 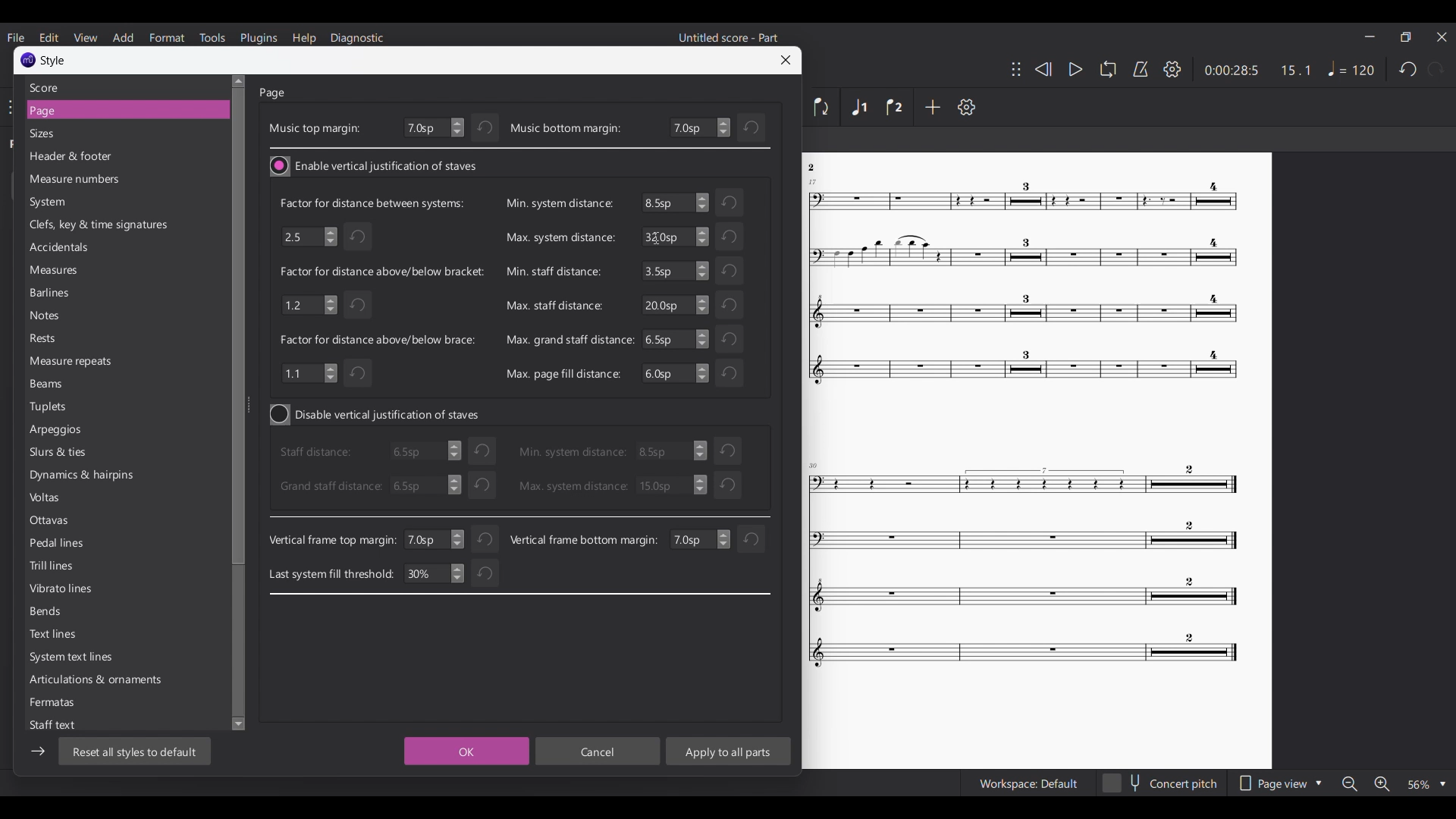 I want to click on Undo, so click(x=730, y=485).